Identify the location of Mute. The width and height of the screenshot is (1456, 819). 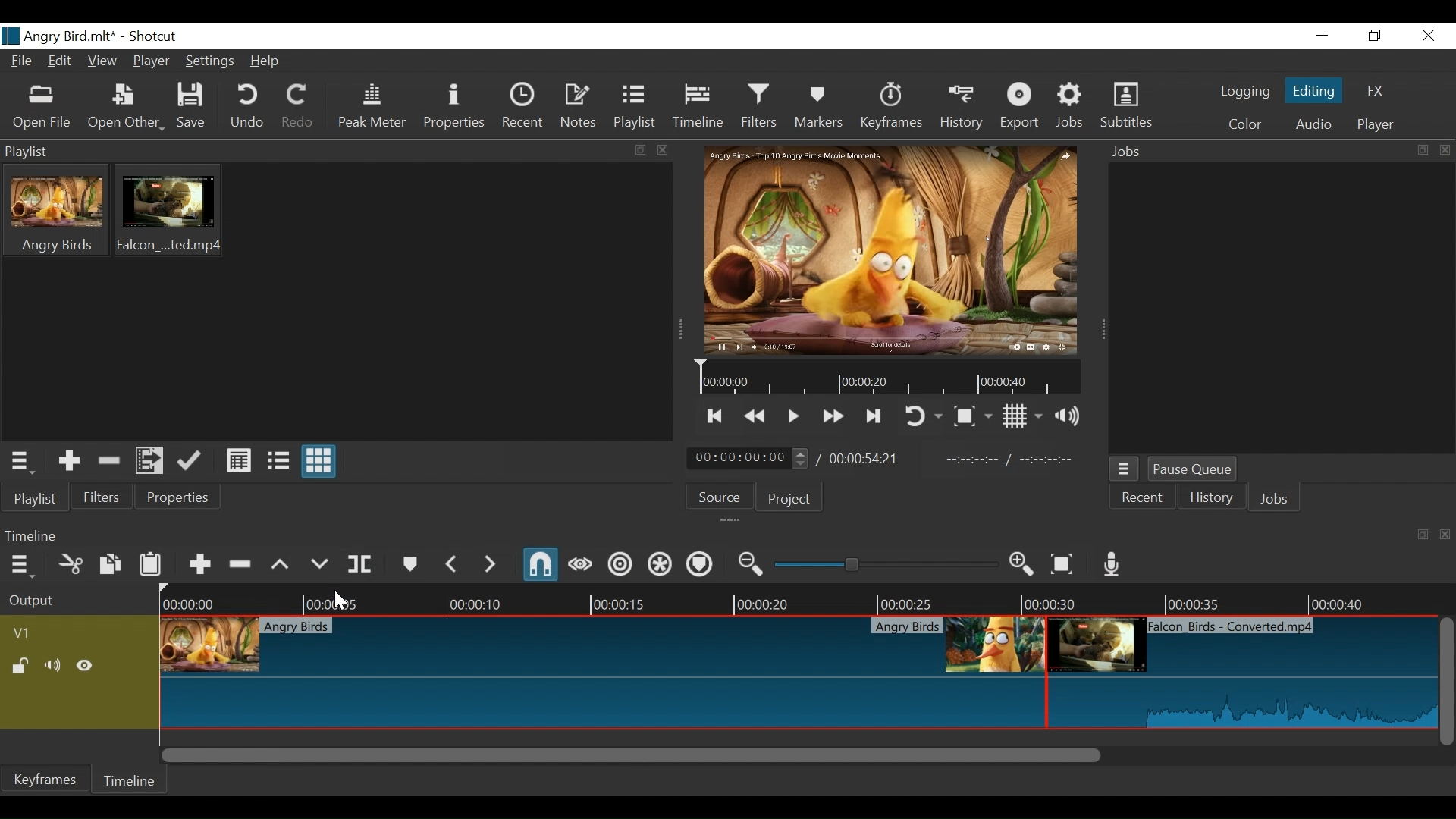
(52, 665).